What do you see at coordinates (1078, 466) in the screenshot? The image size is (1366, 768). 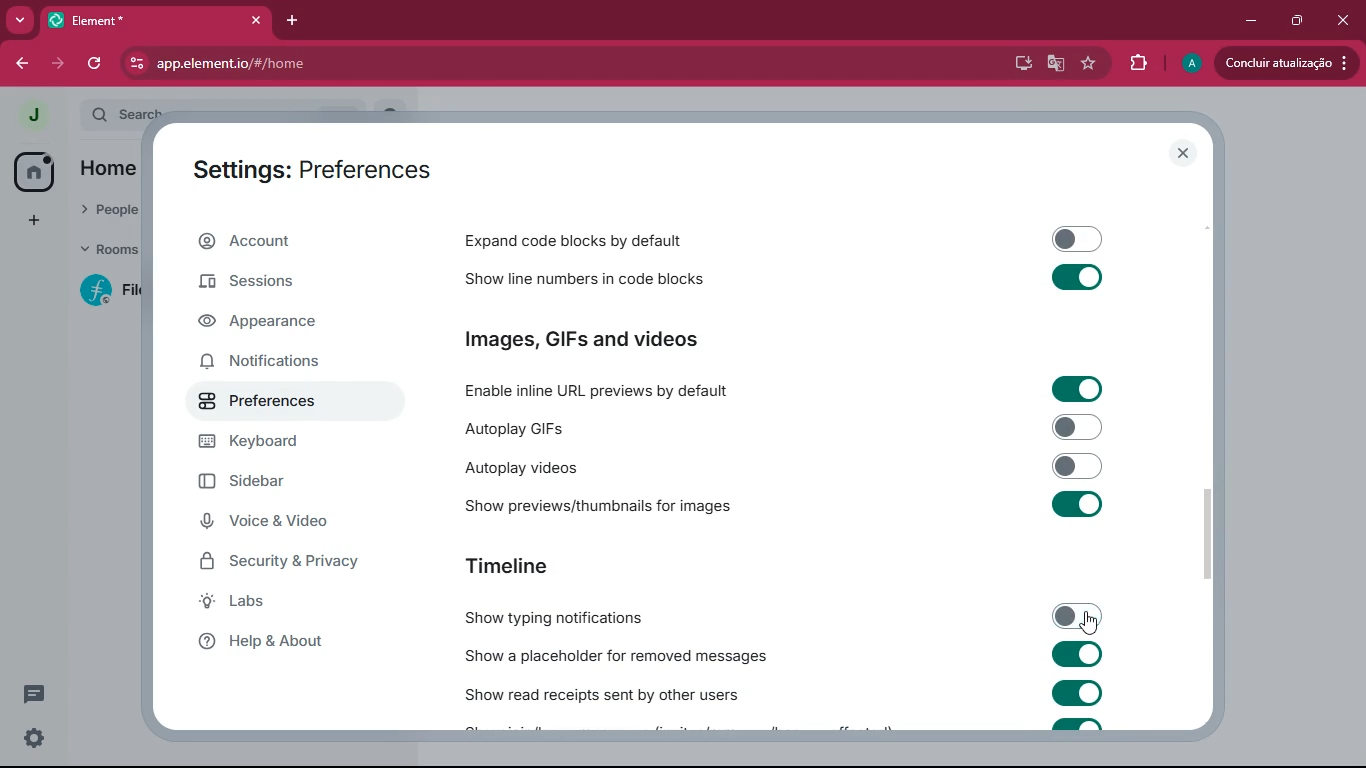 I see `toggle on/off` at bounding box center [1078, 466].